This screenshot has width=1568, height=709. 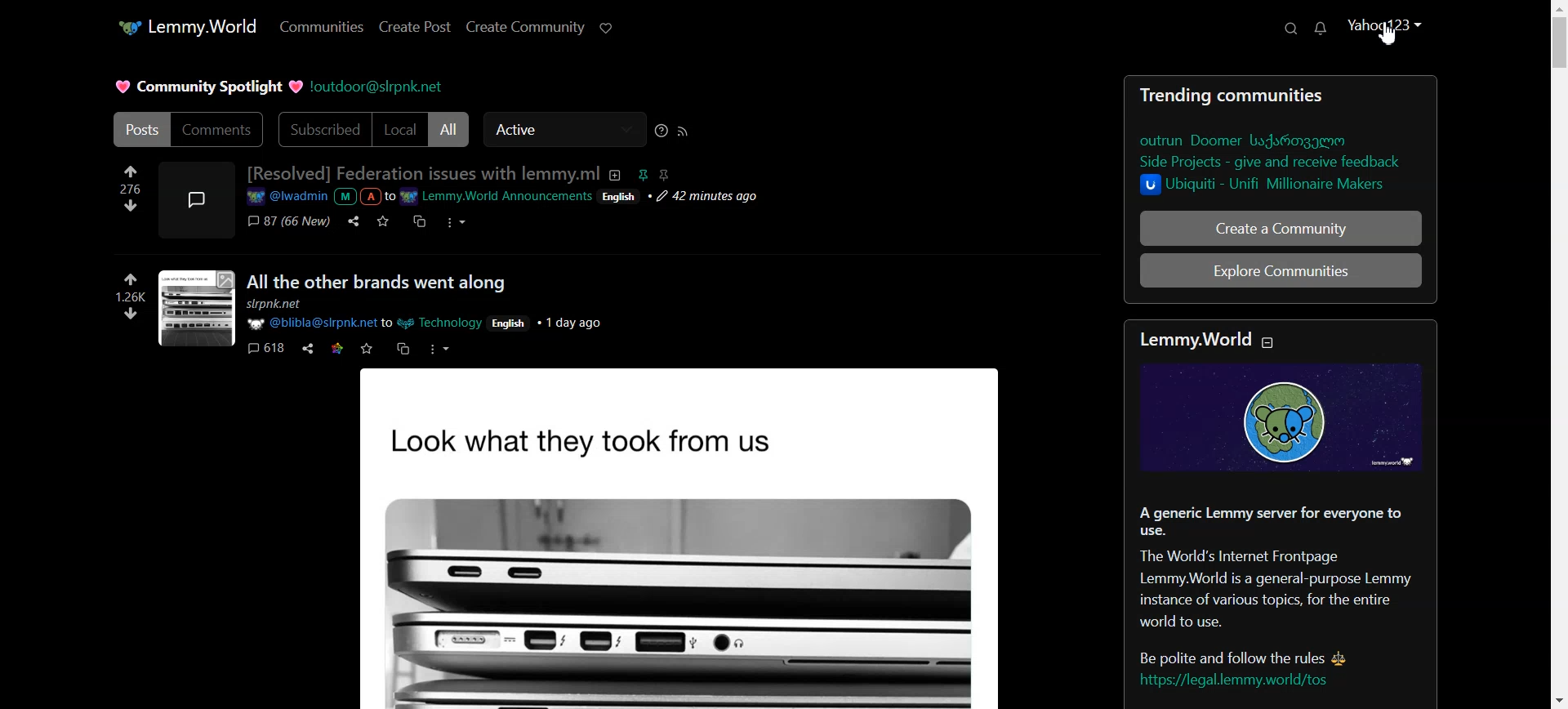 I want to click on slrpnk.net, so click(x=280, y=305).